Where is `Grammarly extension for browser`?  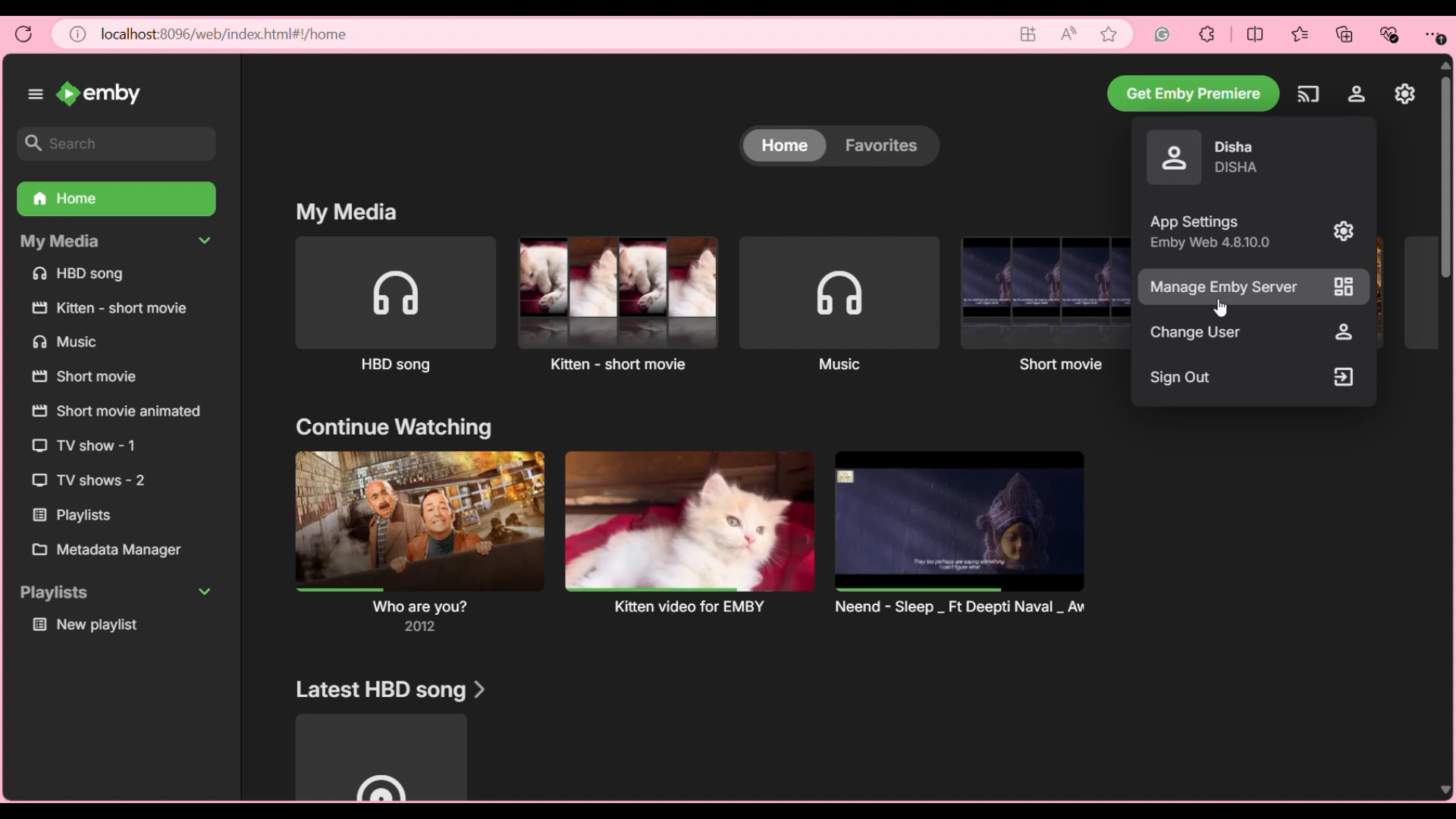
Grammarly extension for browser is located at coordinates (1163, 34).